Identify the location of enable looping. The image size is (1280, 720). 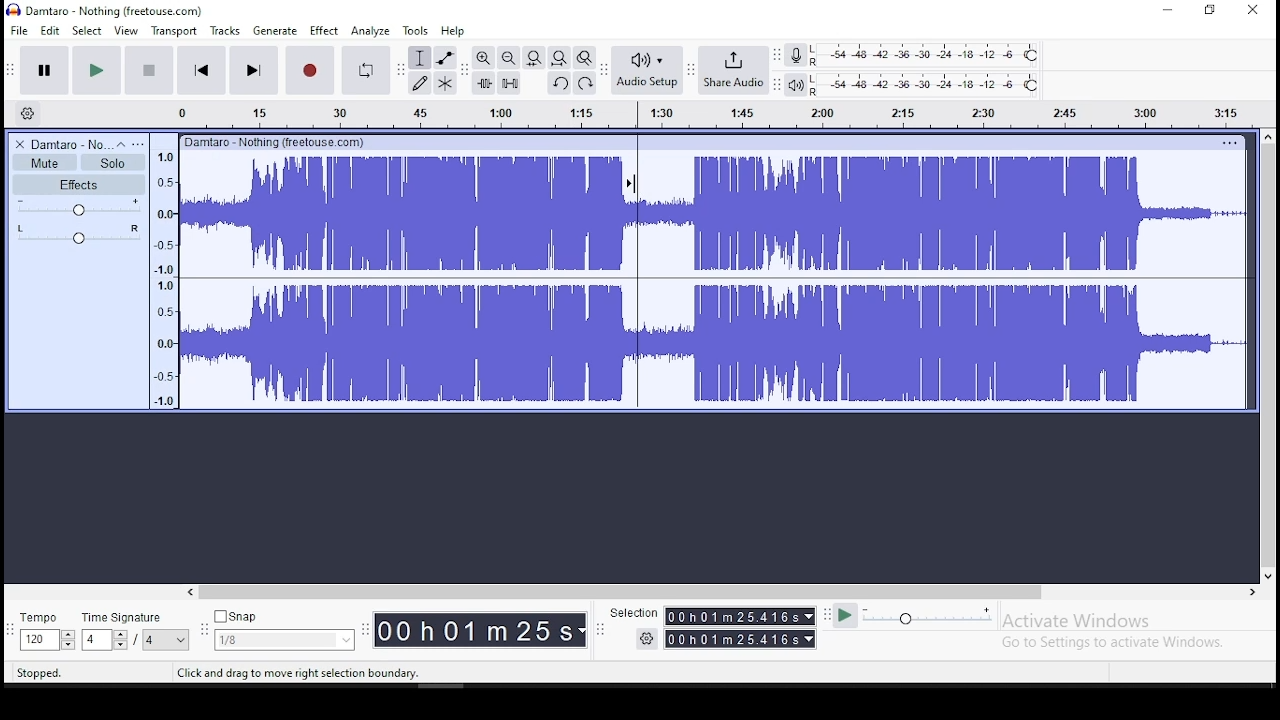
(366, 69).